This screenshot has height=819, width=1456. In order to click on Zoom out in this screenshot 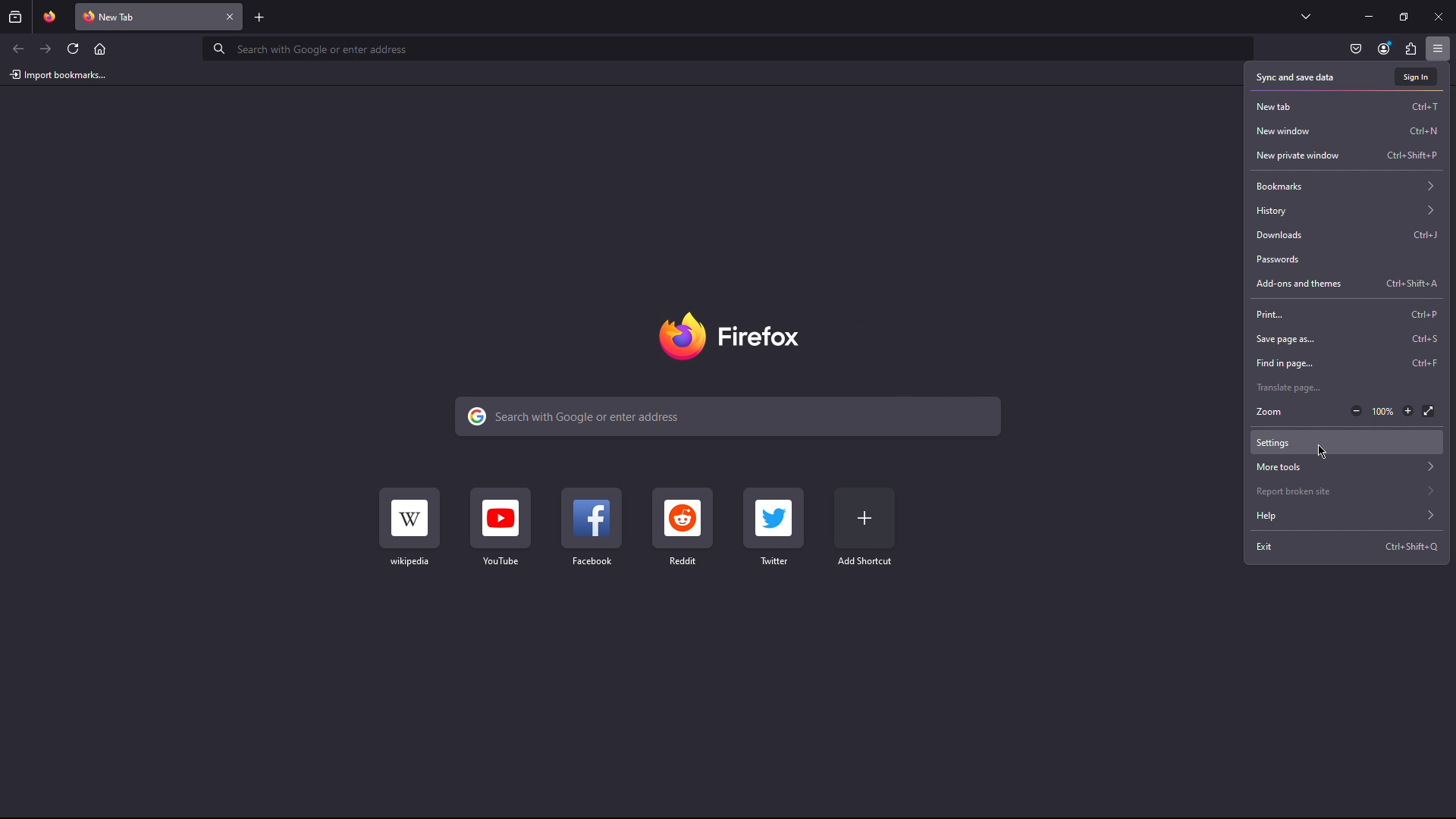, I will do `click(1357, 411)`.